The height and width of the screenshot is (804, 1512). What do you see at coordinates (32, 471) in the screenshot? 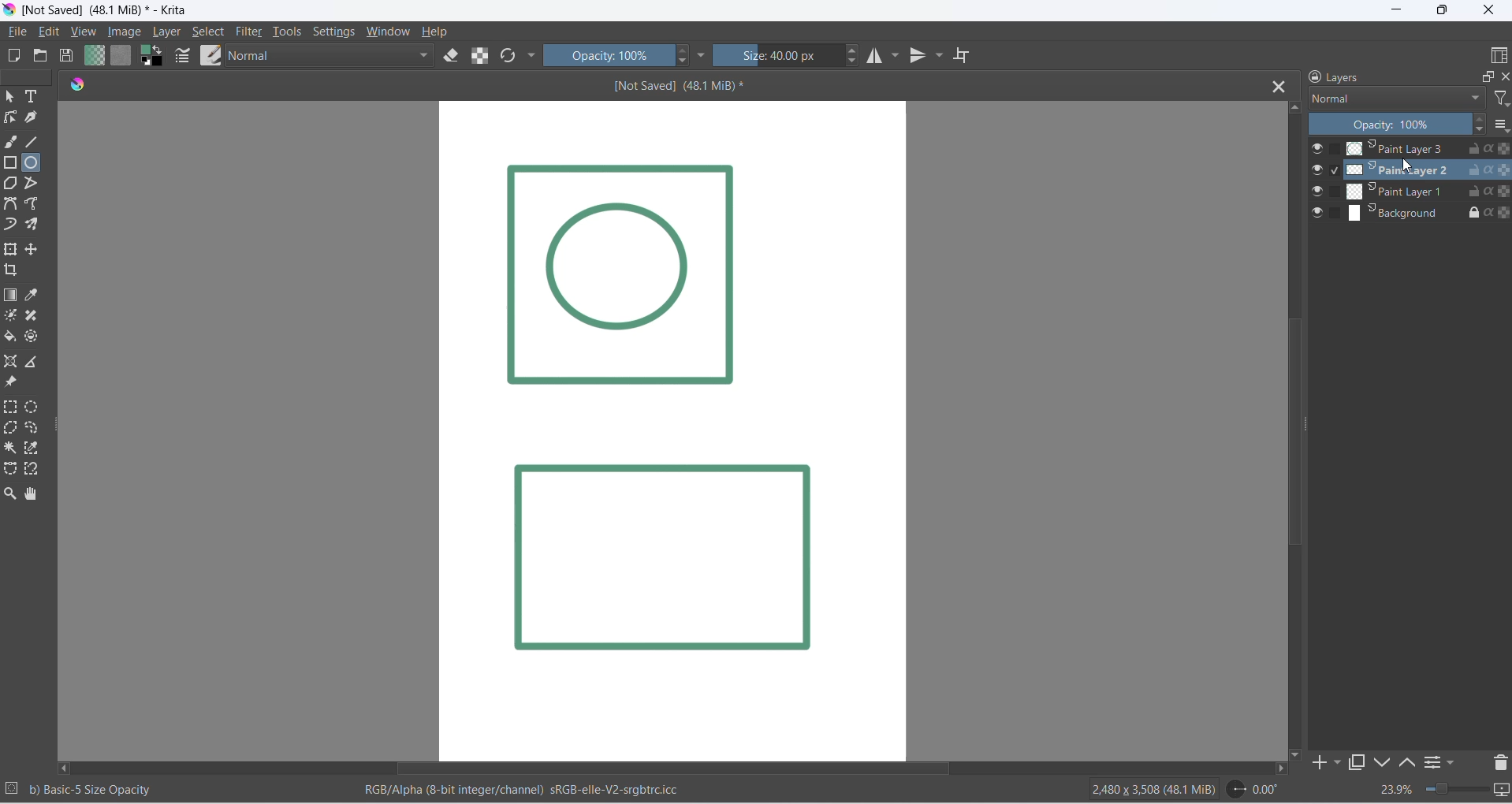
I see `magnetic curve selection tool` at bounding box center [32, 471].